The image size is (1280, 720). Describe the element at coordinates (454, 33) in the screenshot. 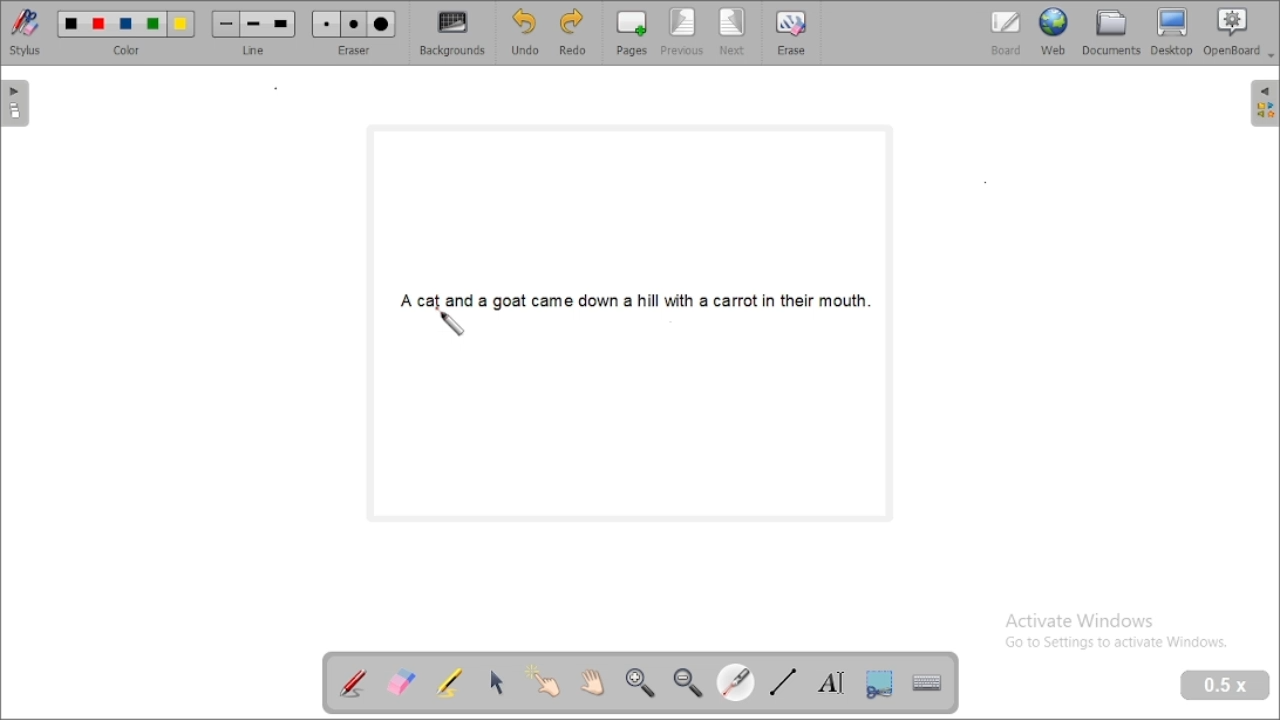

I see `backgrounds` at that location.